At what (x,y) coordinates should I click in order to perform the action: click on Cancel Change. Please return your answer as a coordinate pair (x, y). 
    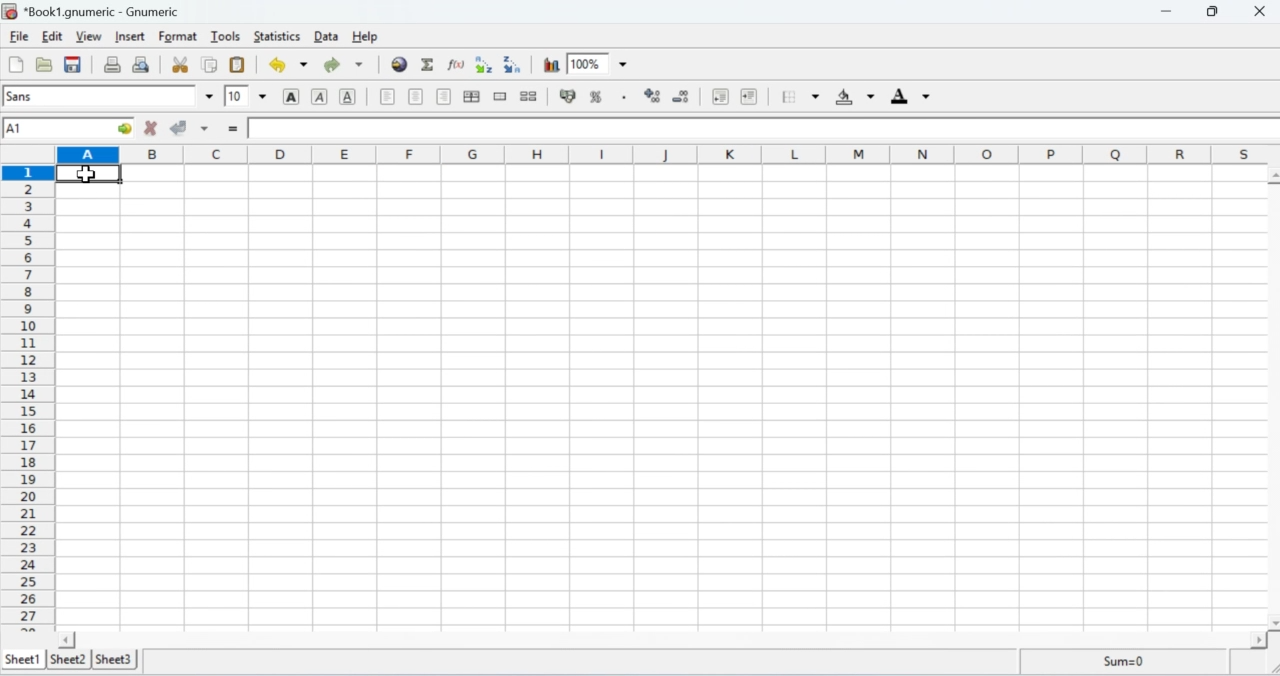
    Looking at the image, I should click on (152, 127).